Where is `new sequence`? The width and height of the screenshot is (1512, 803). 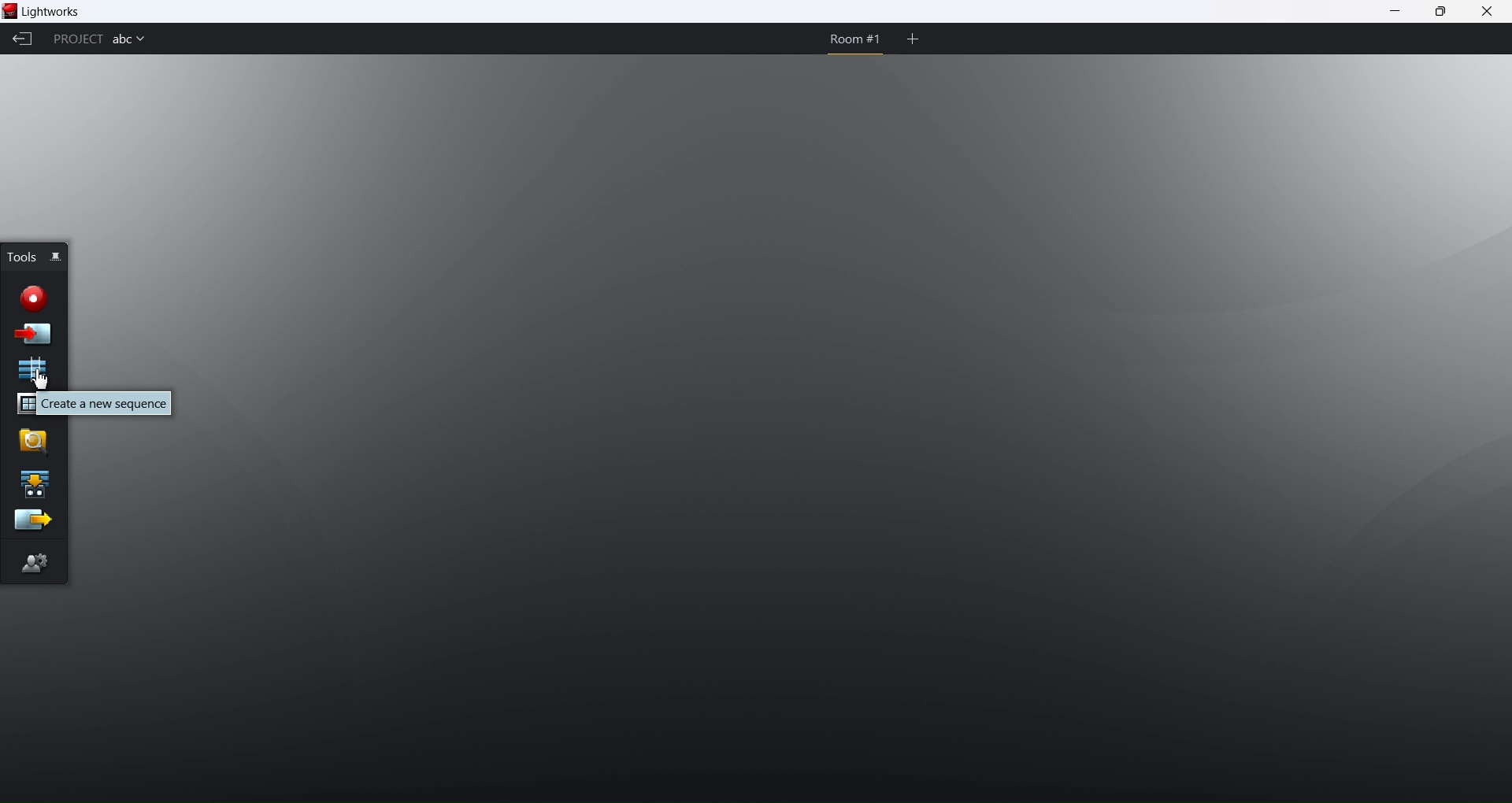 new sequence is located at coordinates (35, 370).